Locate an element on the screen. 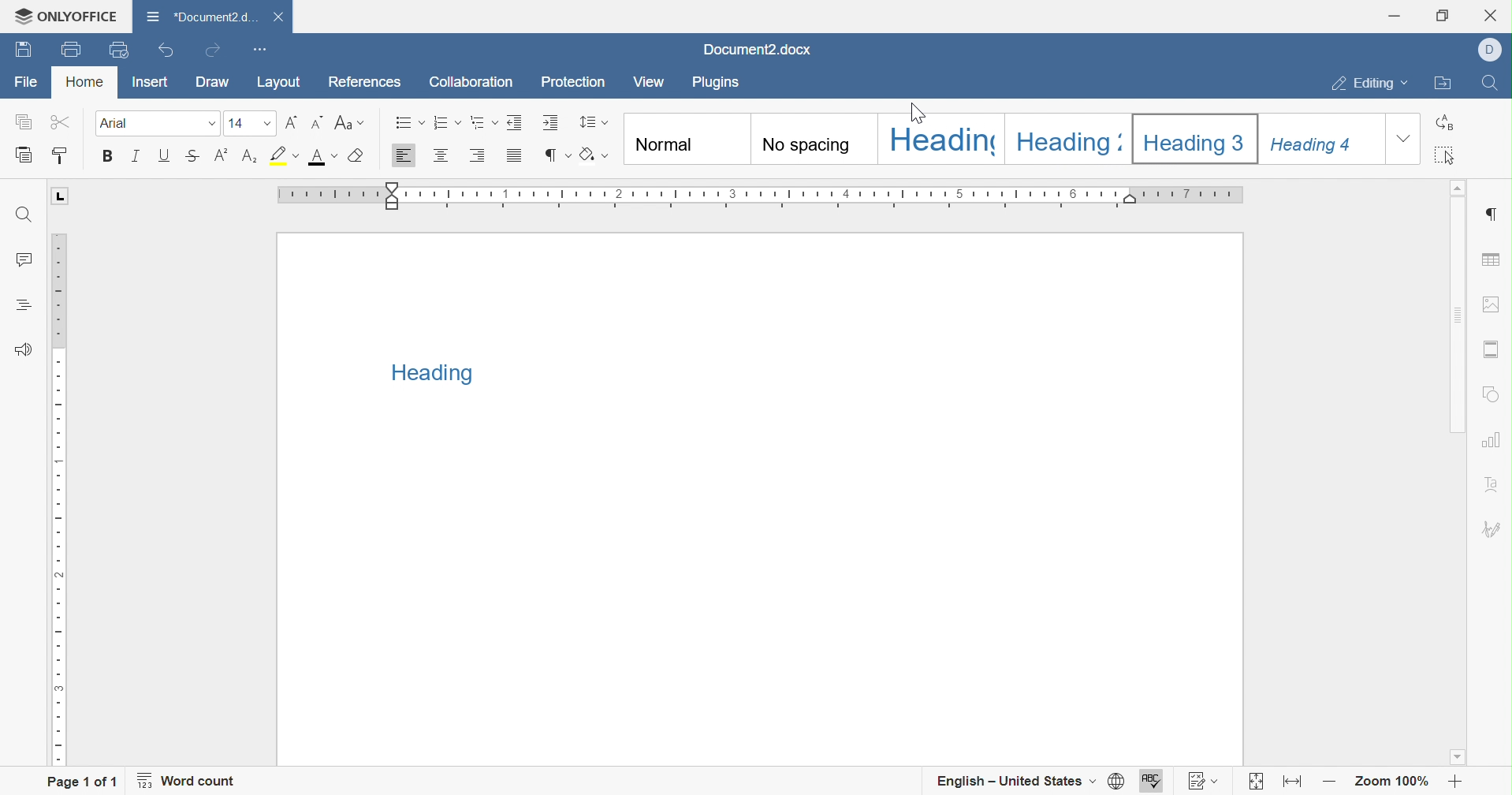 The height and width of the screenshot is (795, 1512). Scroll Bar is located at coordinates (1462, 473).